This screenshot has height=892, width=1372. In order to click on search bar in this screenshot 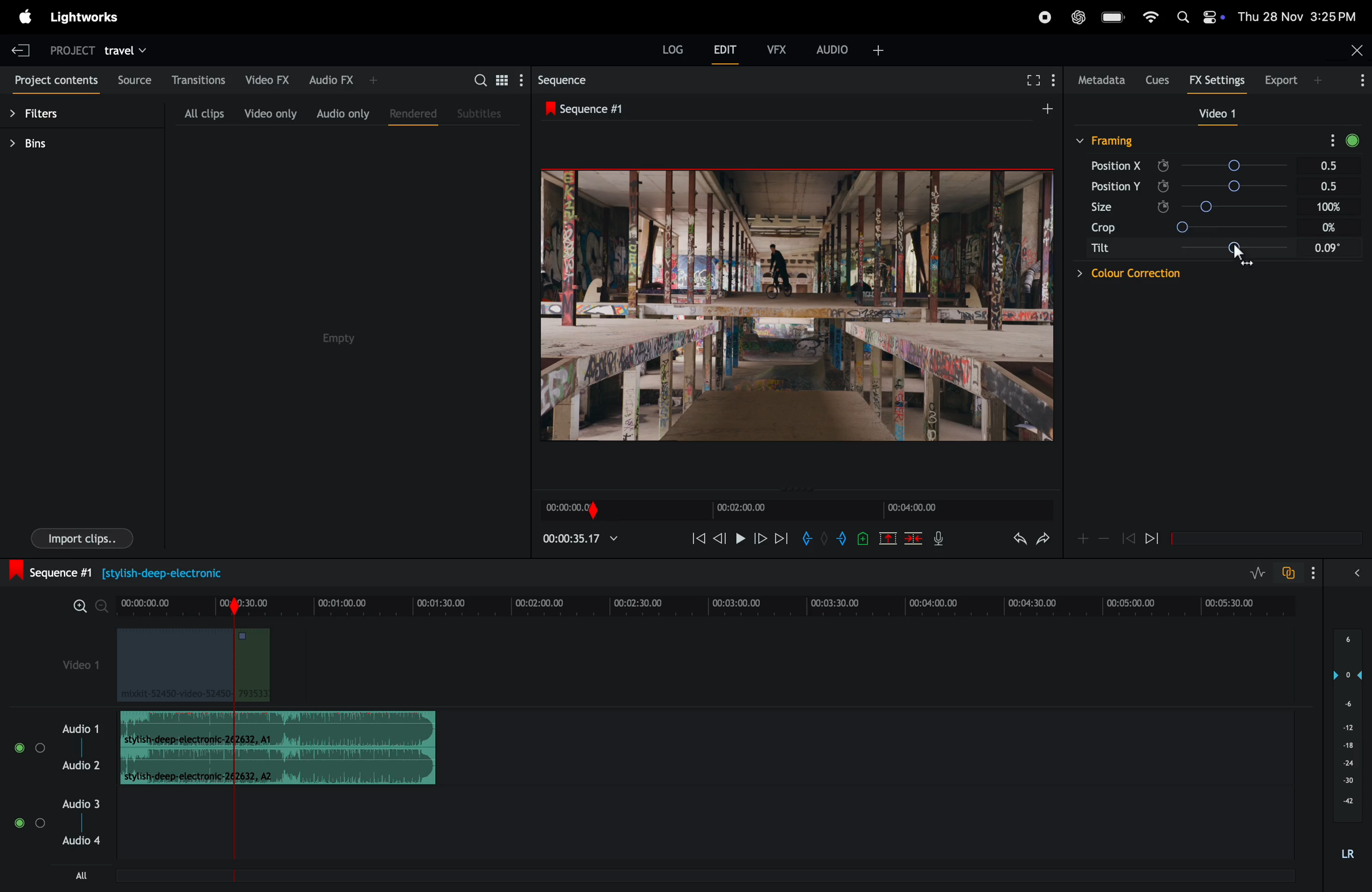, I will do `click(493, 79)`.